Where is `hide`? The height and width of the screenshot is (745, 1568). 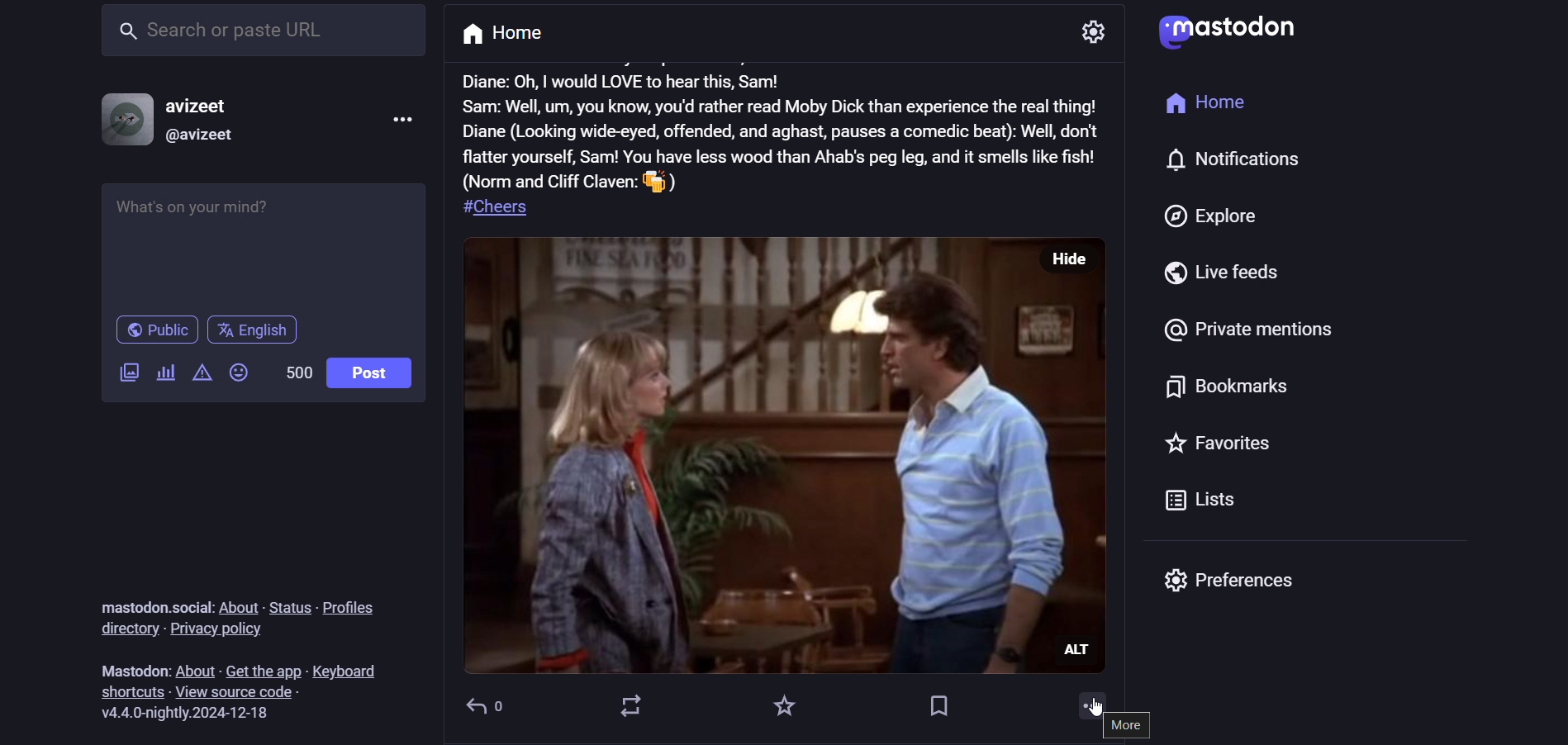
hide is located at coordinates (1074, 259).